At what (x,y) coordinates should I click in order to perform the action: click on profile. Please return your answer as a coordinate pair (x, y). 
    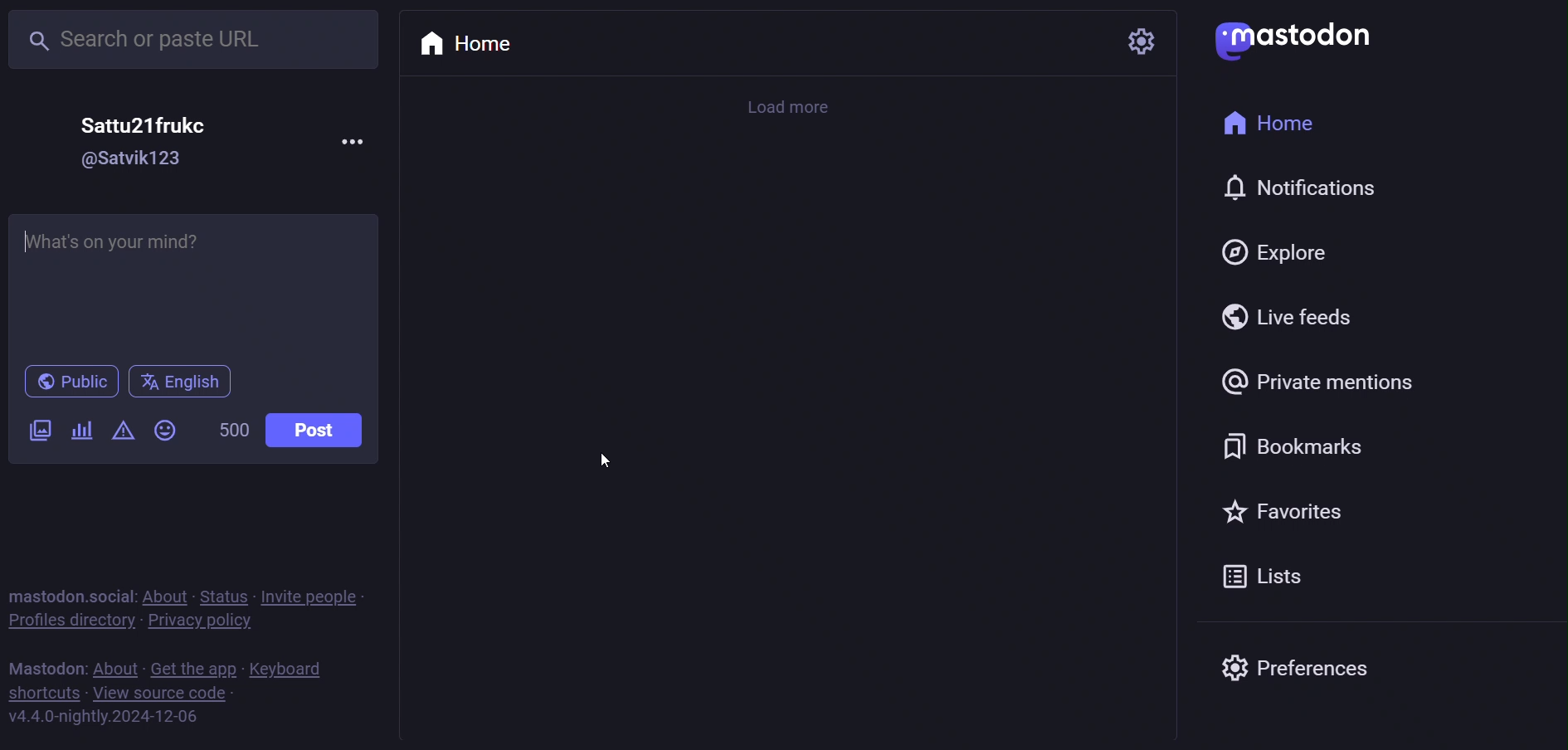
    Looking at the image, I should click on (68, 622).